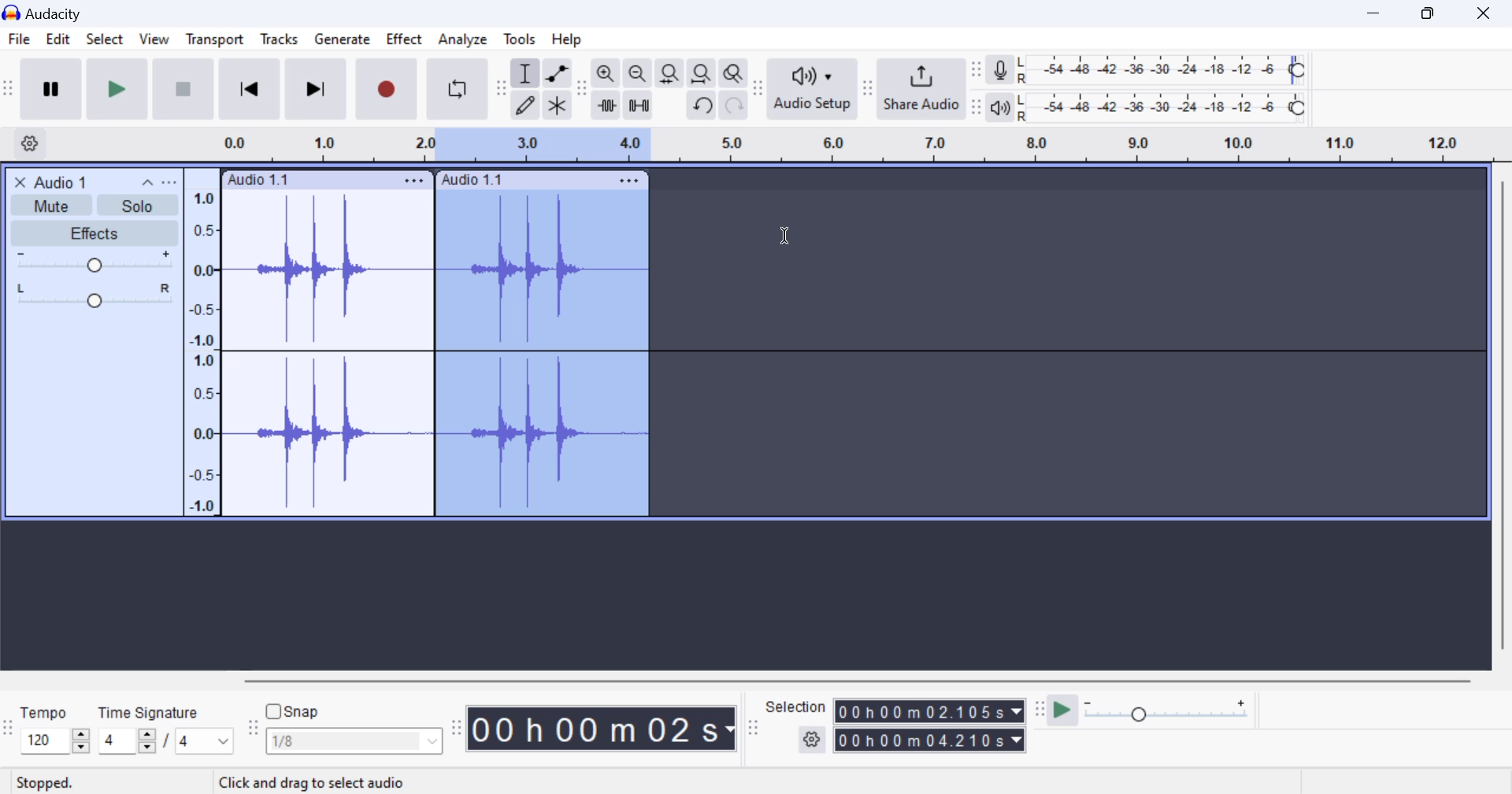 The image size is (1512, 794). What do you see at coordinates (639, 106) in the screenshot?
I see `silence audio selection` at bounding box center [639, 106].